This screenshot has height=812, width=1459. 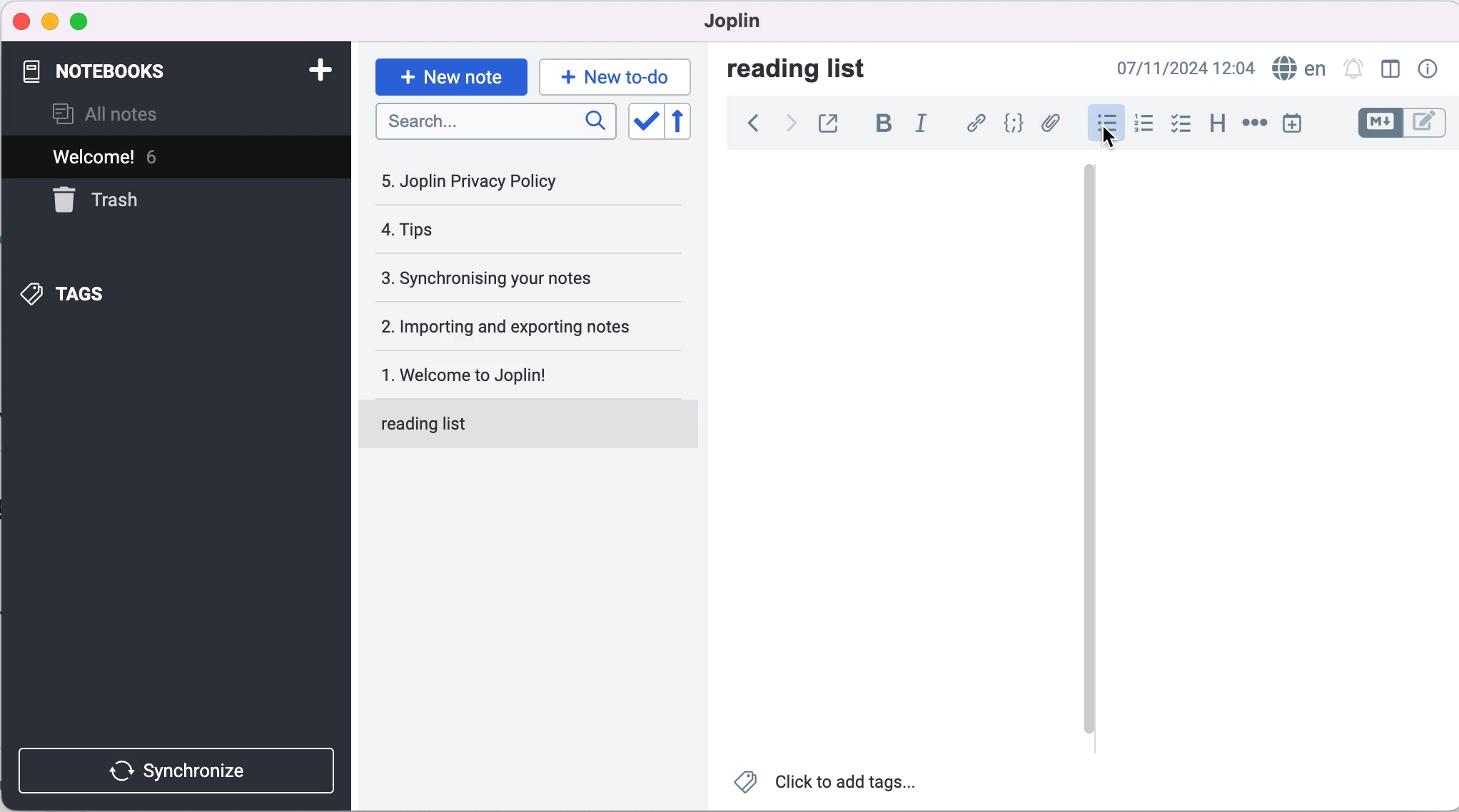 I want to click on welcome to joplin, so click(x=532, y=367).